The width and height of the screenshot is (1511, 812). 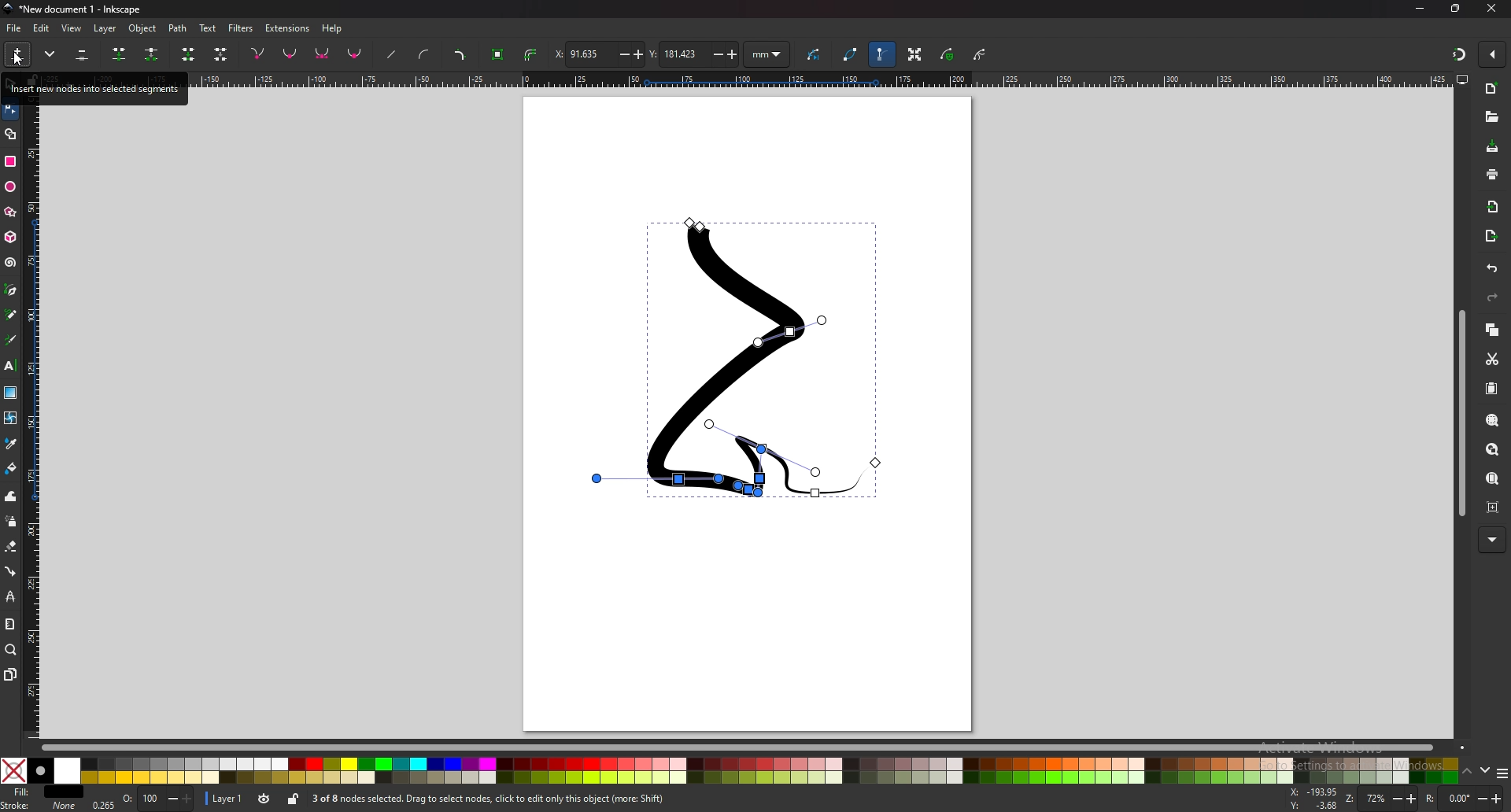 What do you see at coordinates (1459, 415) in the screenshot?
I see `scroll bar` at bounding box center [1459, 415].